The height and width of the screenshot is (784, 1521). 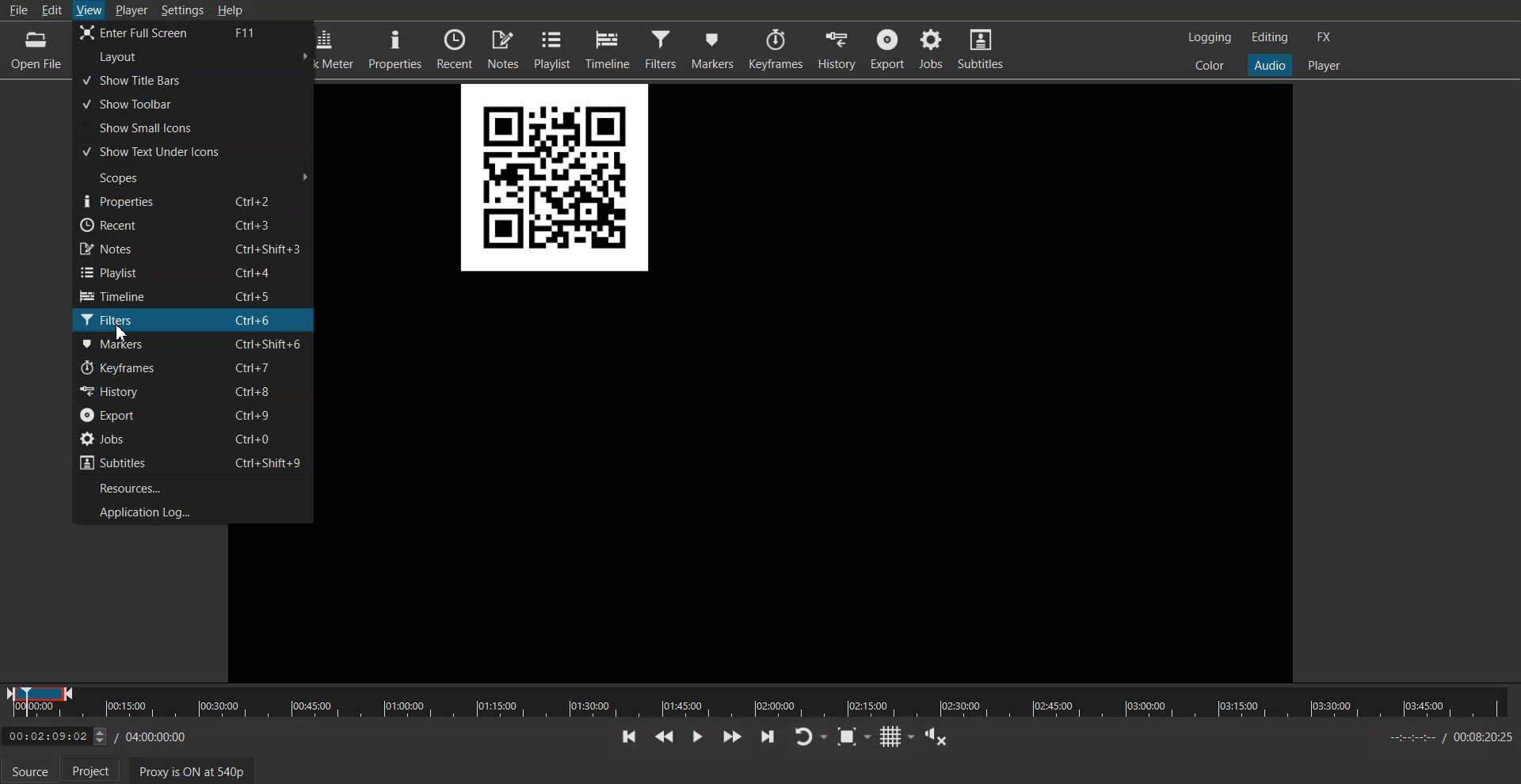 What do you see at coordinates (192, 391) in the screenshot?
I see `History` at bounding box center [192, 391].